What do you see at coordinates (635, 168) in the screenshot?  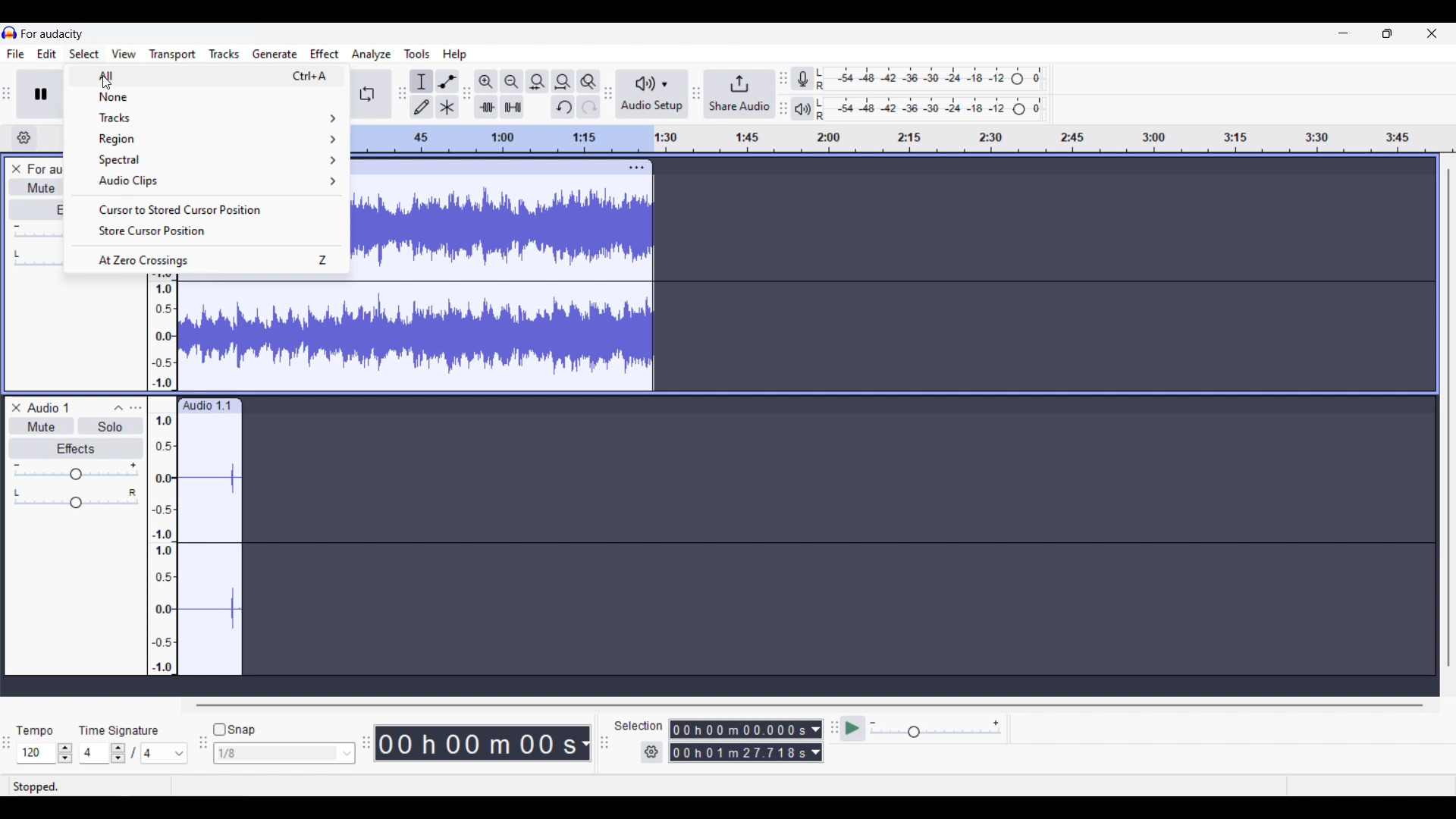 I see `track options` at bounding box center [635, 168].